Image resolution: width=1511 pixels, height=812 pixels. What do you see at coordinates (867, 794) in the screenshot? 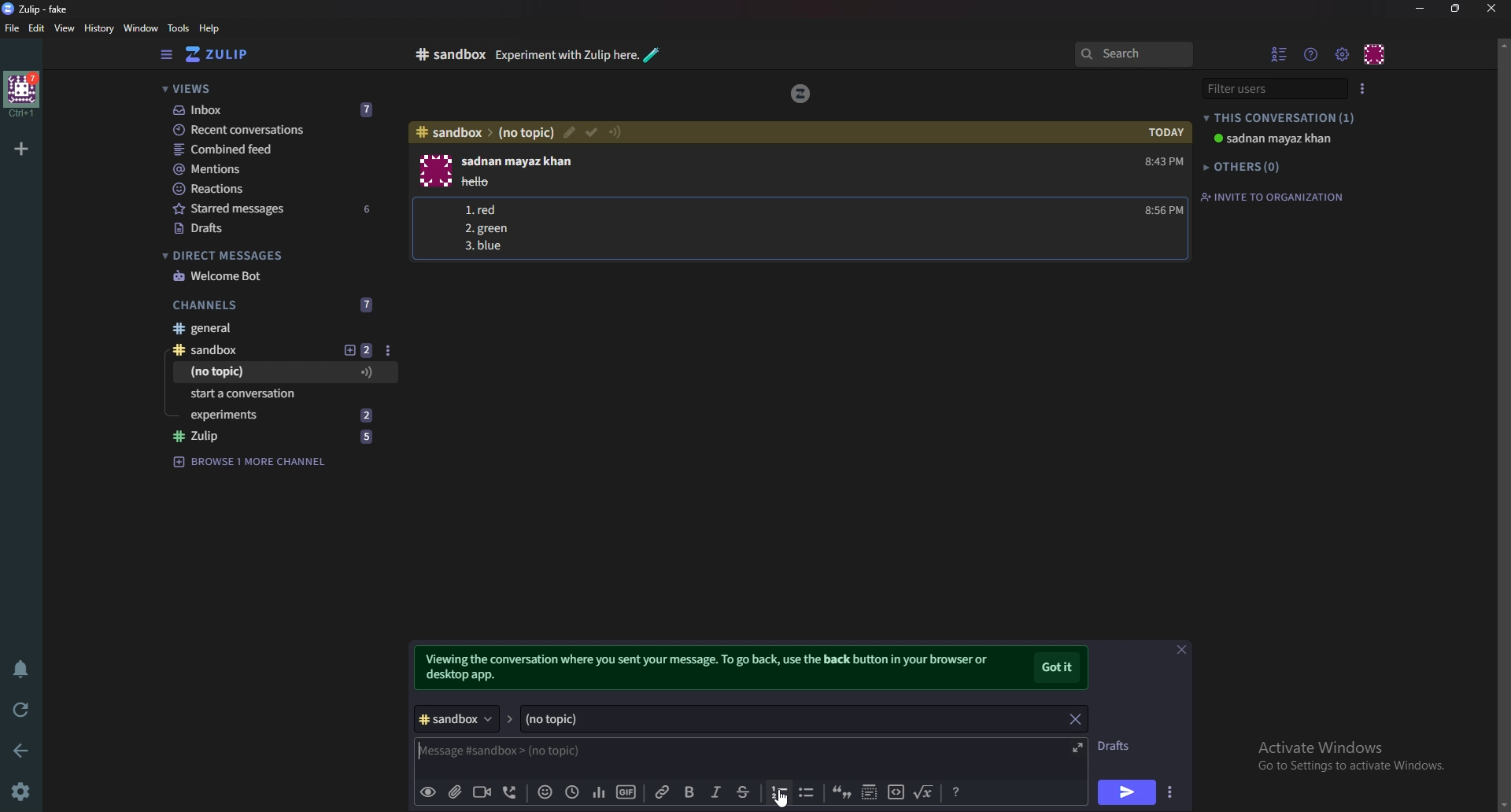
I see `Spoiler` at bounding box center [867, 794].